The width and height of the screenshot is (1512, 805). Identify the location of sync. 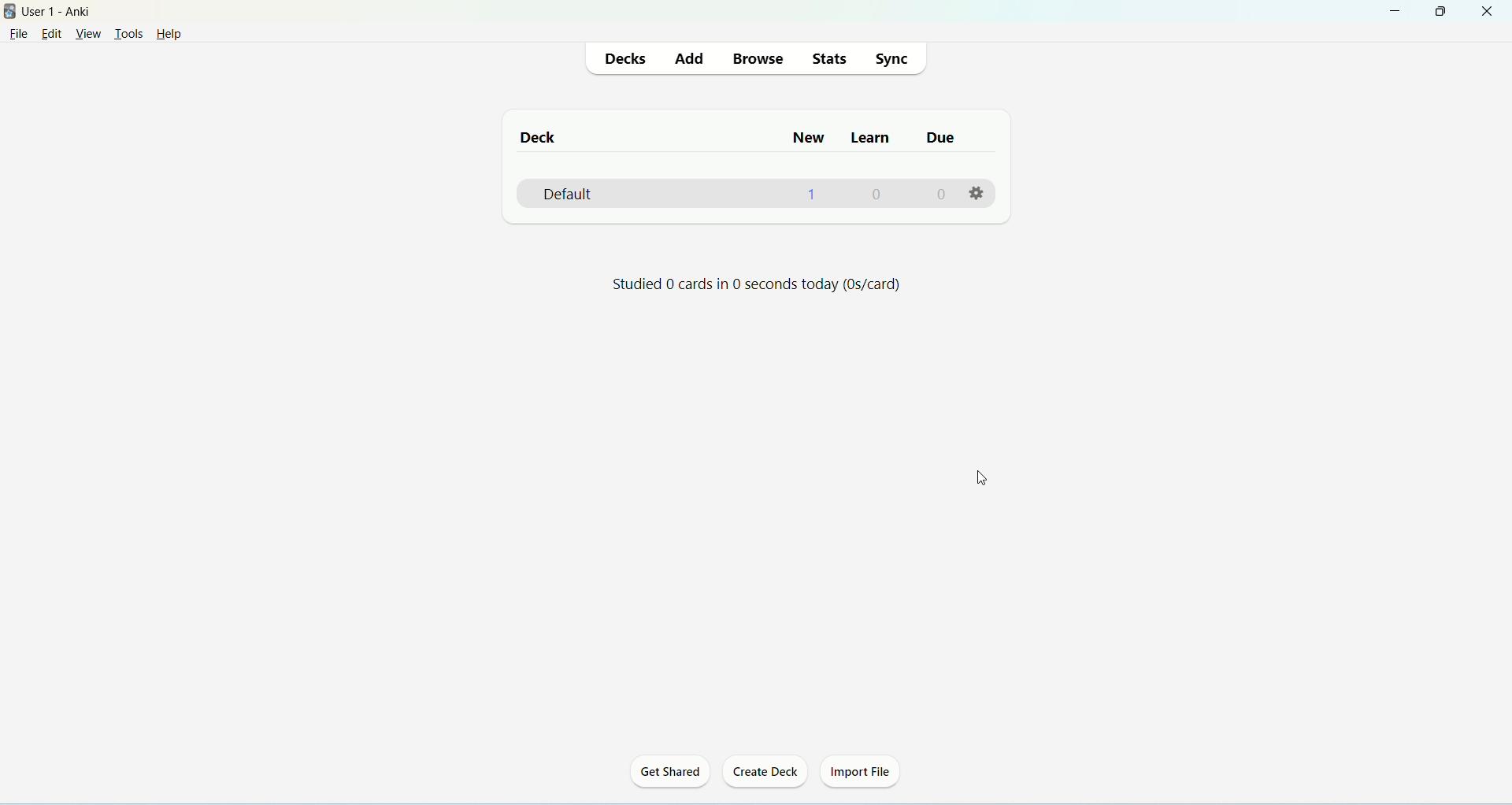
(895, 59).